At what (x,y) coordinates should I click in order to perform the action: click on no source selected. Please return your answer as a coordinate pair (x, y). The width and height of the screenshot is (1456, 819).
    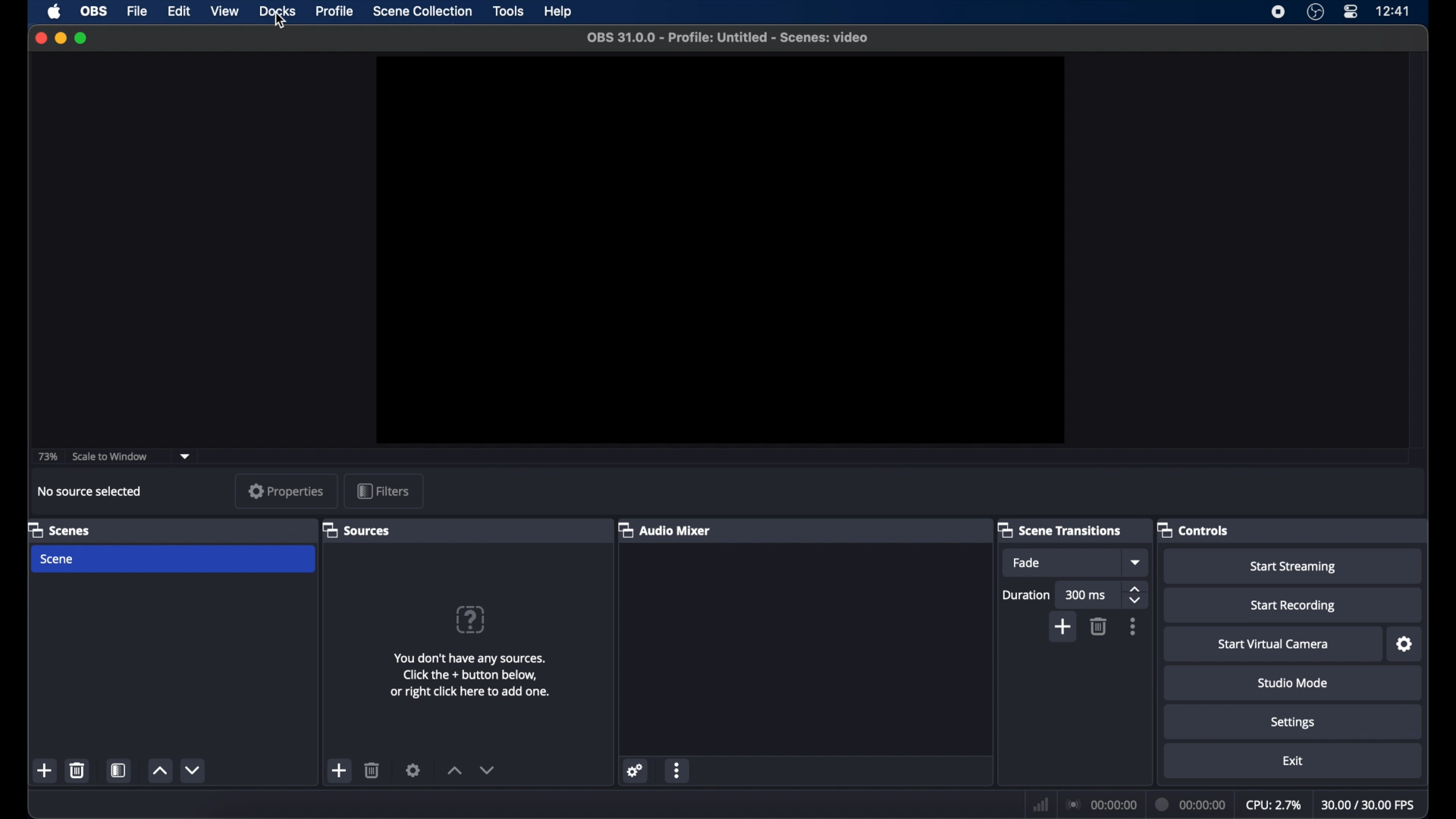
    Looking at the image, I should click on (90, 491).